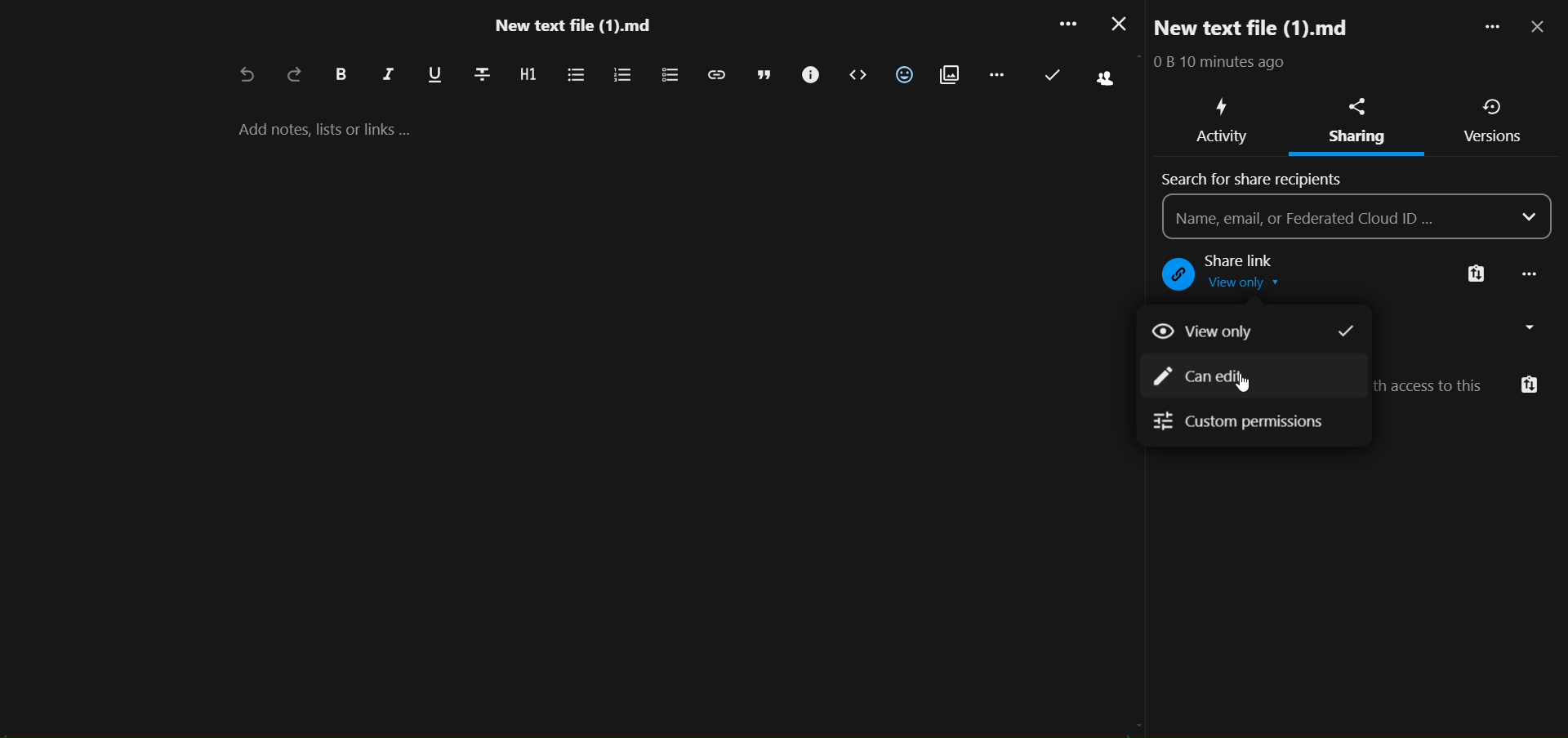 This screenshot has height=738, width=1568. Describe the element at coordinates (481, 73) in the screenshot. I see `strikethrough` at that location.